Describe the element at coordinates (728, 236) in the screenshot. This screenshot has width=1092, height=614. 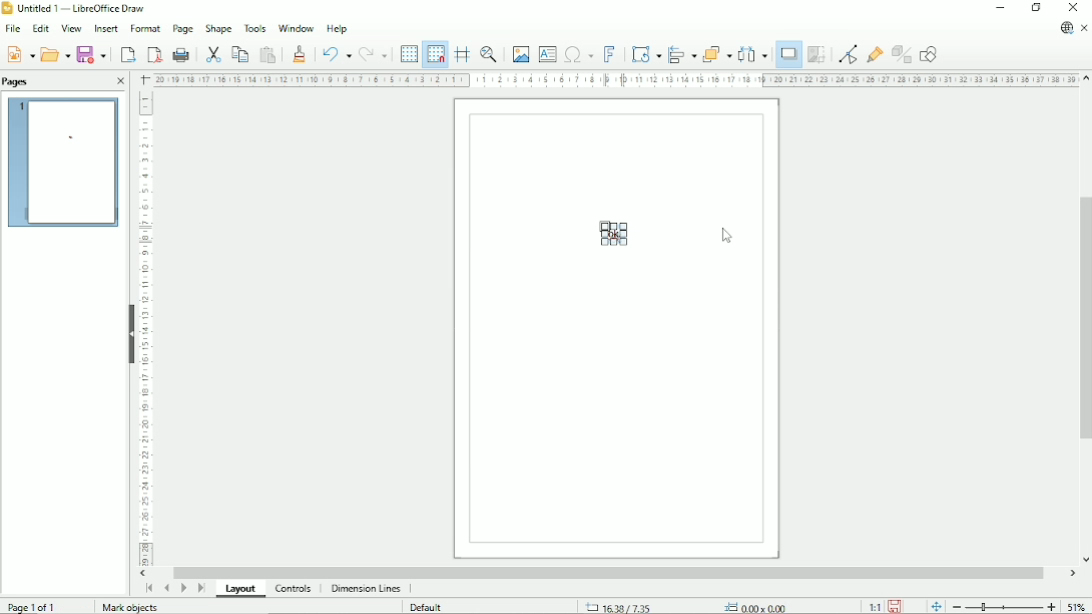
I see `Cursor` at that location.